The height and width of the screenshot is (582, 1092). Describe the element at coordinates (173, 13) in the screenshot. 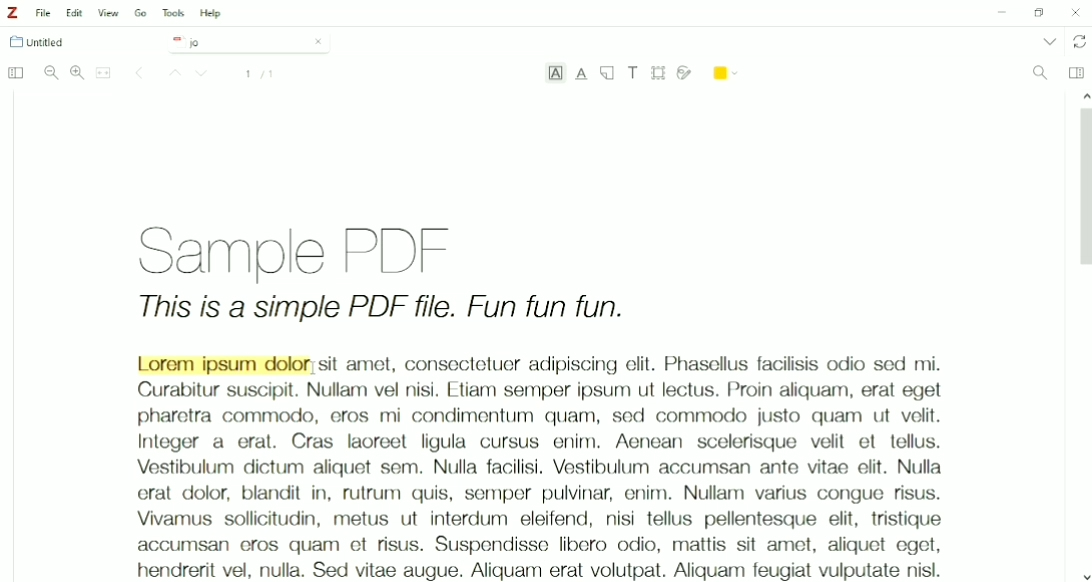

I see `Tools` at that location.